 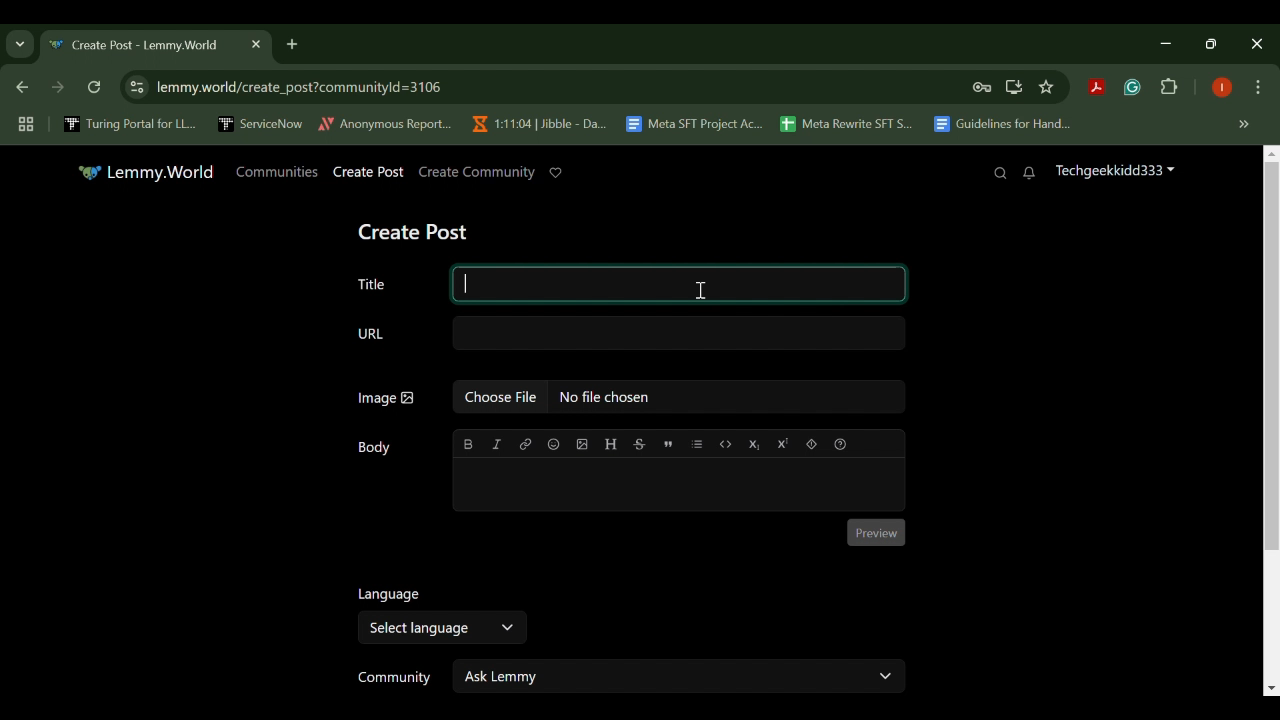 What do you see at coordinates (417, 229) in the screenshot?
I see `Create Post` at bounding box center [417, 229].